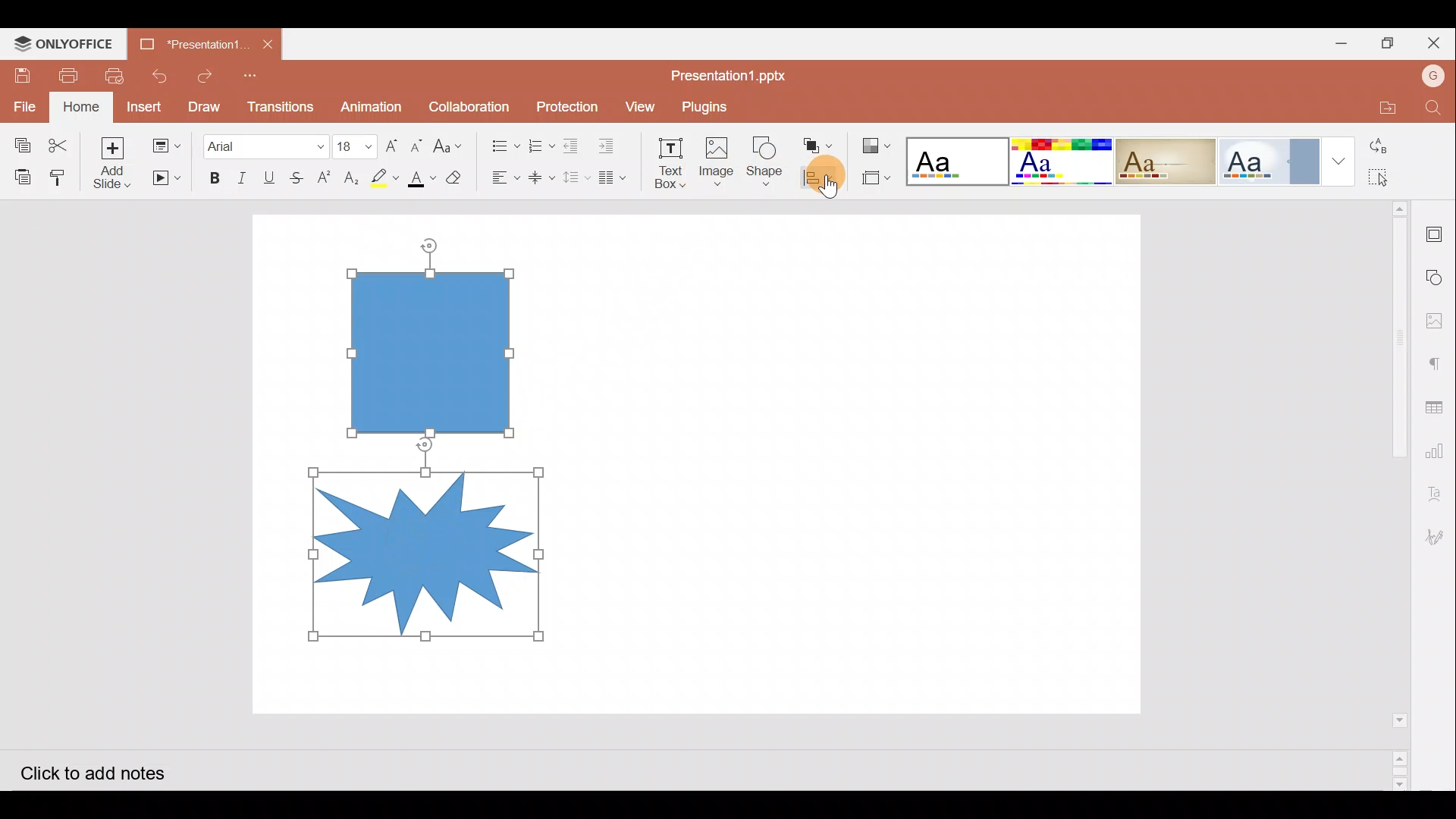 The height and width of the screenshot is (819, 1456). I want to click on Align shape, so click(821, 176).